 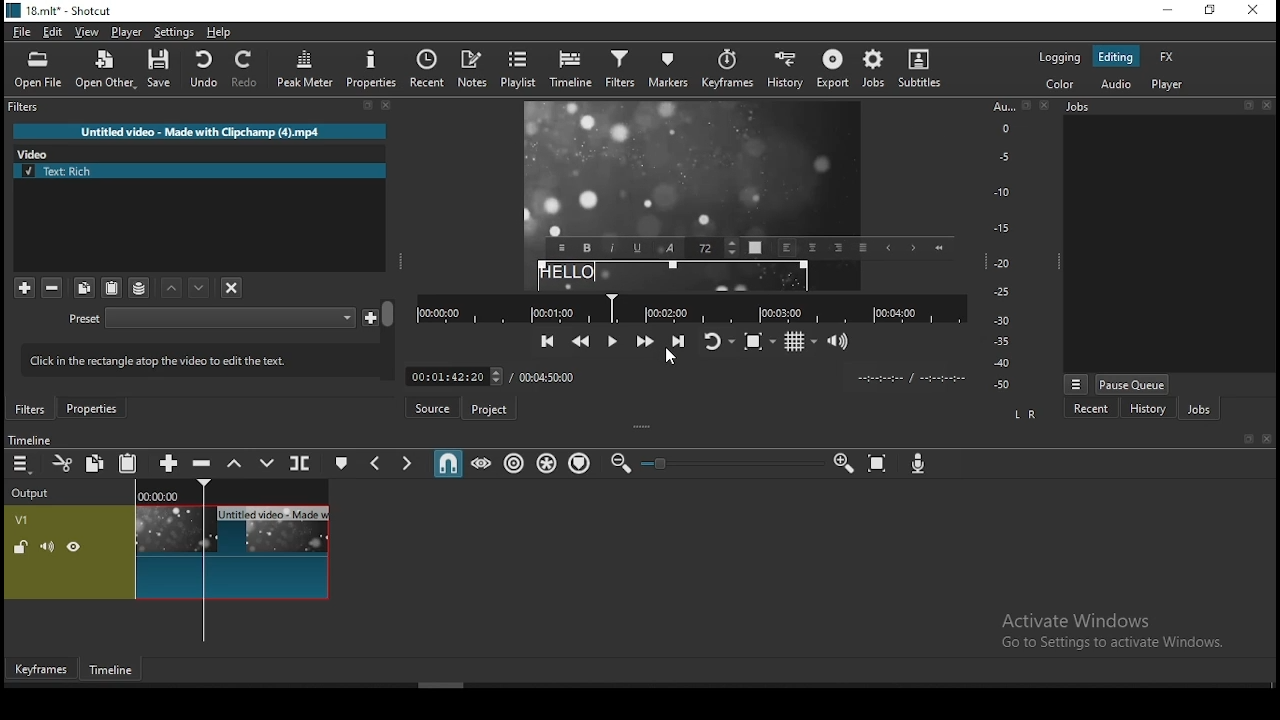 I want to click on markers, so click(x=665, y=74).